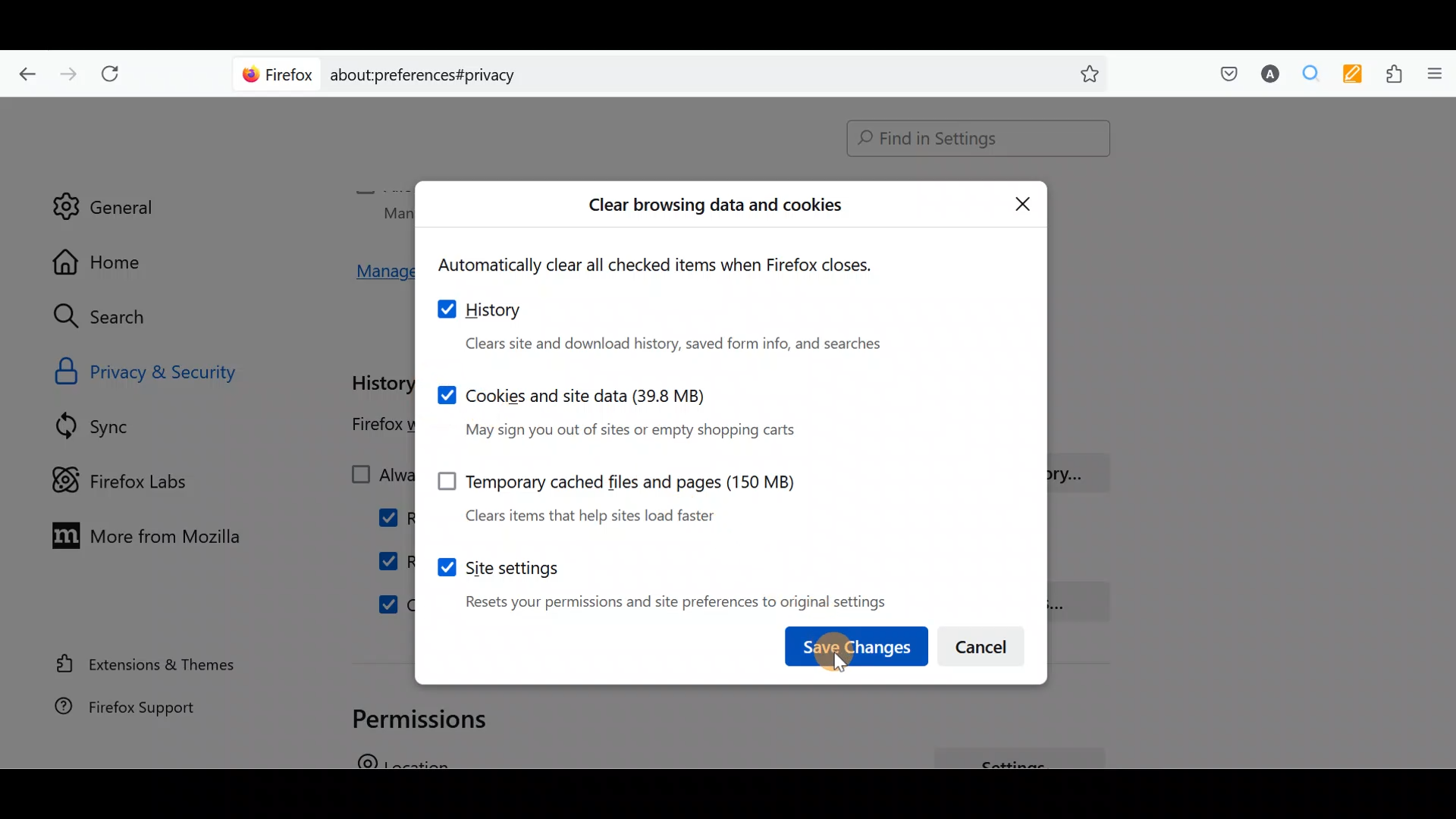  What do you see at coordinates (133, 479) in the screenshot?
I see `Firefox labs` at bounding box center [133, 479].